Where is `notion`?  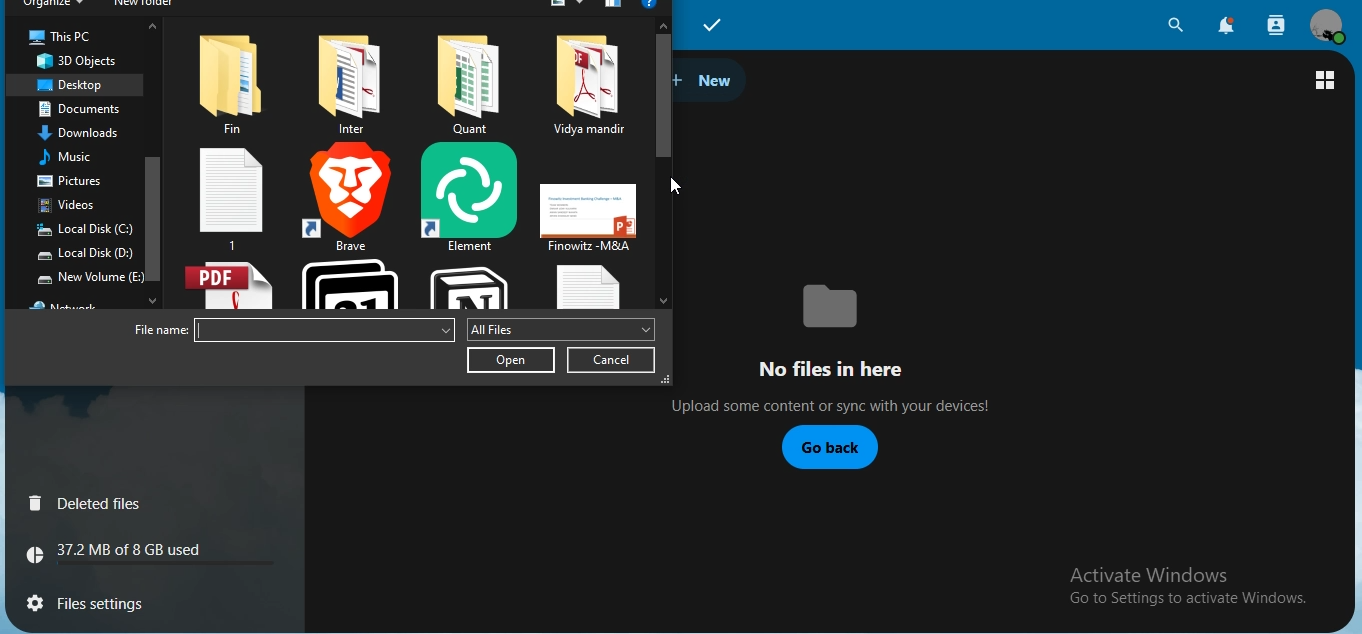 notion is located at coordinates (476, 286).